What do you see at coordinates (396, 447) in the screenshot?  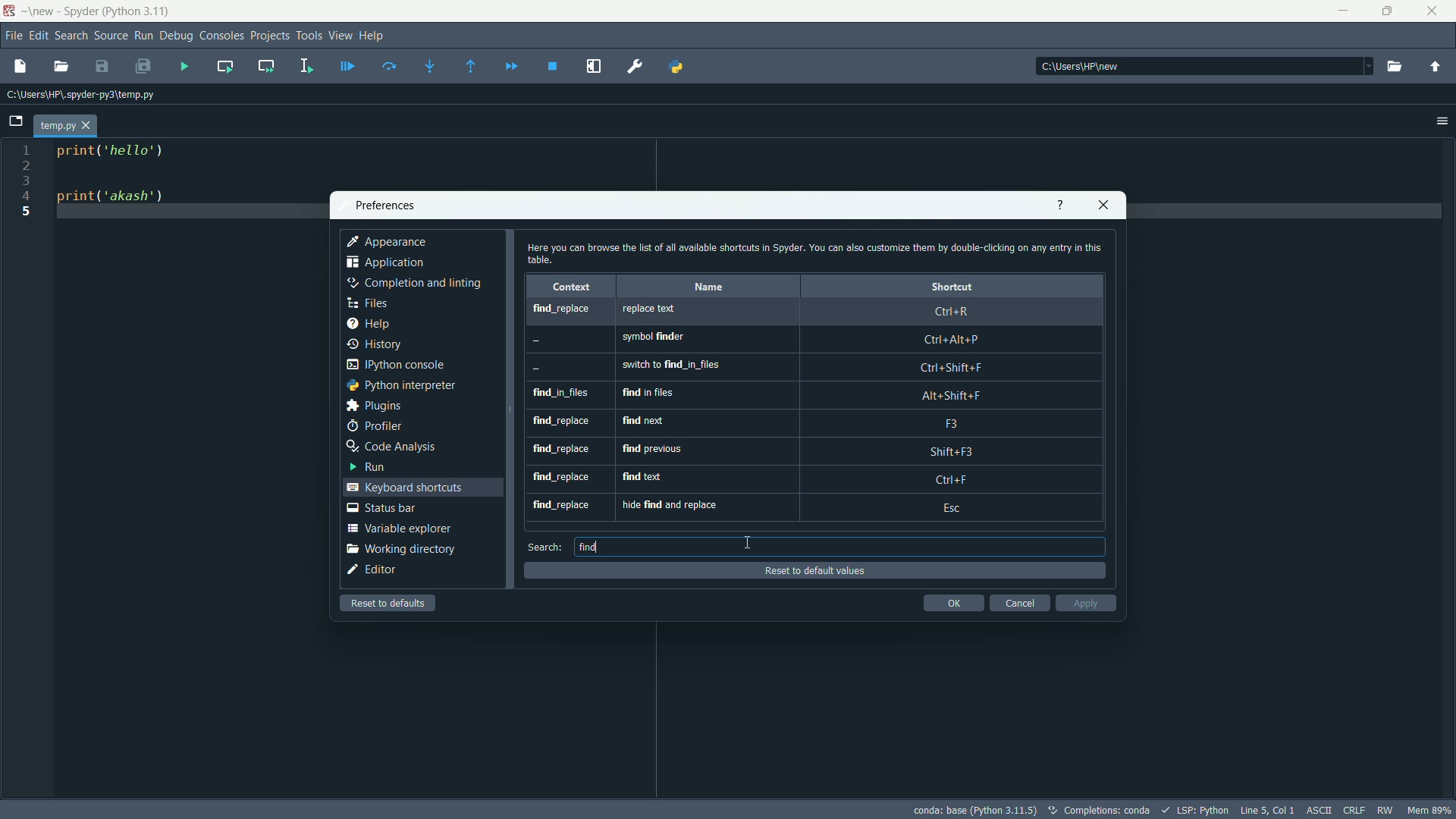 I see `code analysis` at bounding box center [396, 447].